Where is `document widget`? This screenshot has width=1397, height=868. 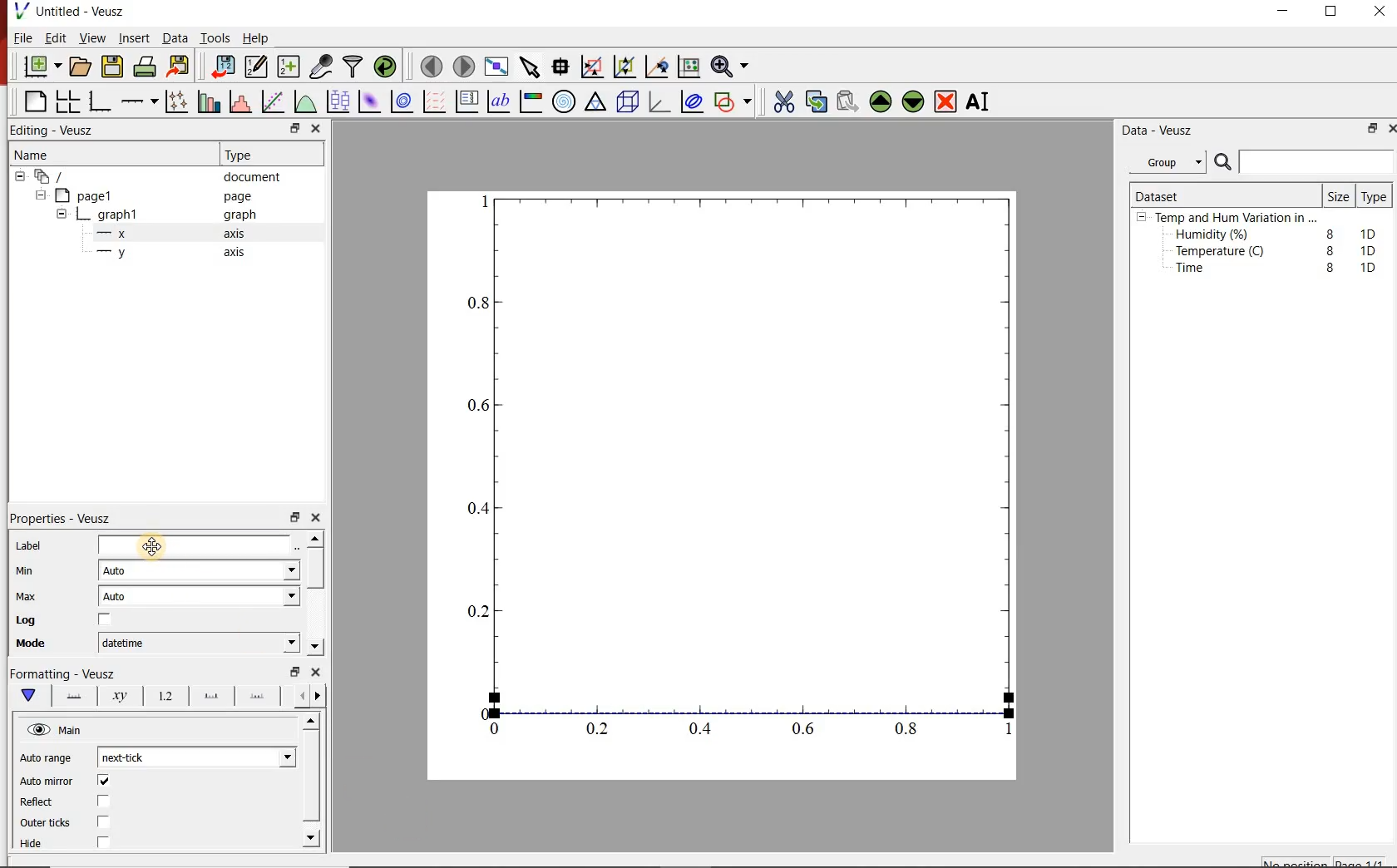 document widget is located at coordinates (59, 177).